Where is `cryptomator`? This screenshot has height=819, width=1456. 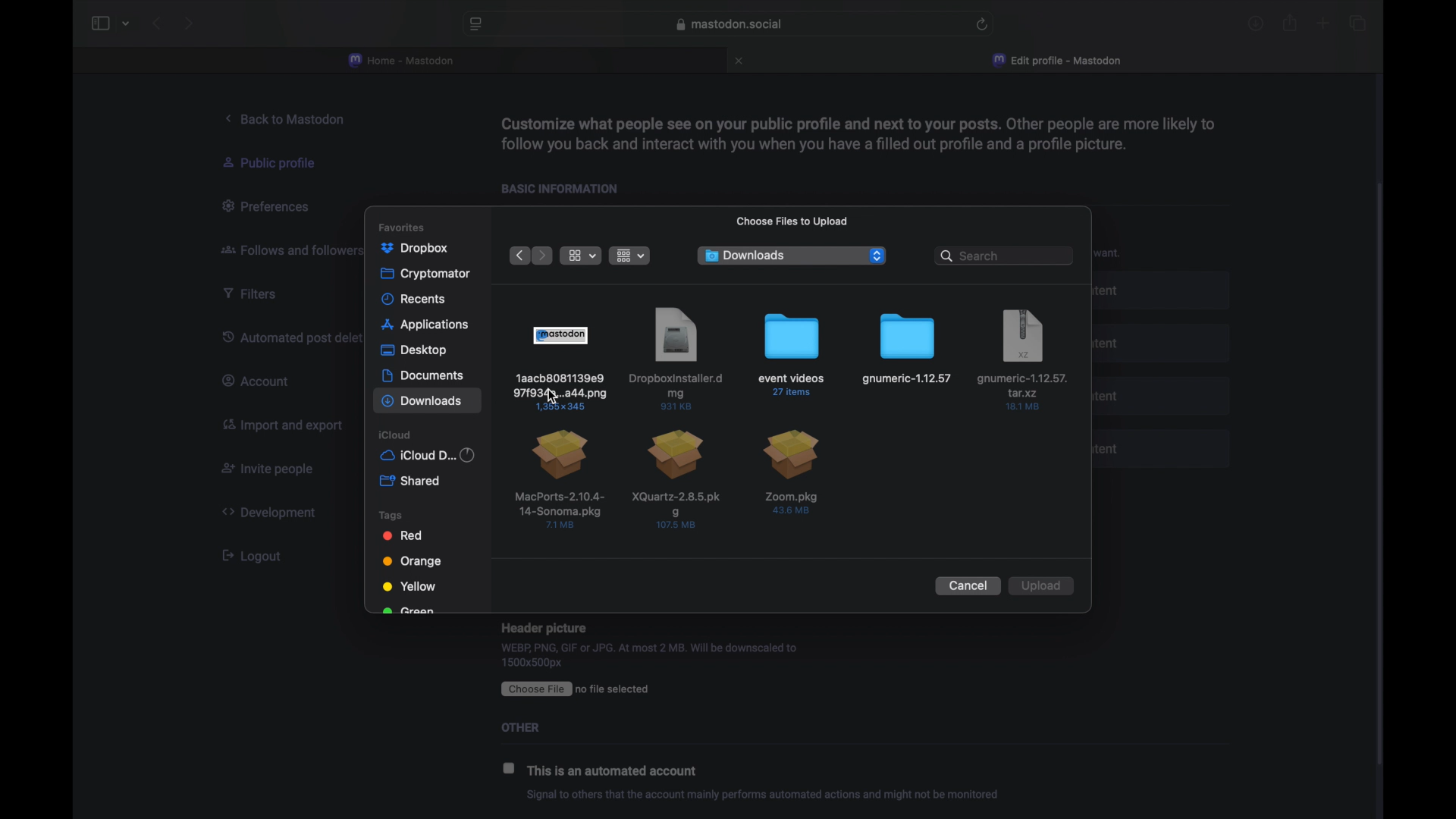
cryptomator is located at coordinates (426, 274).